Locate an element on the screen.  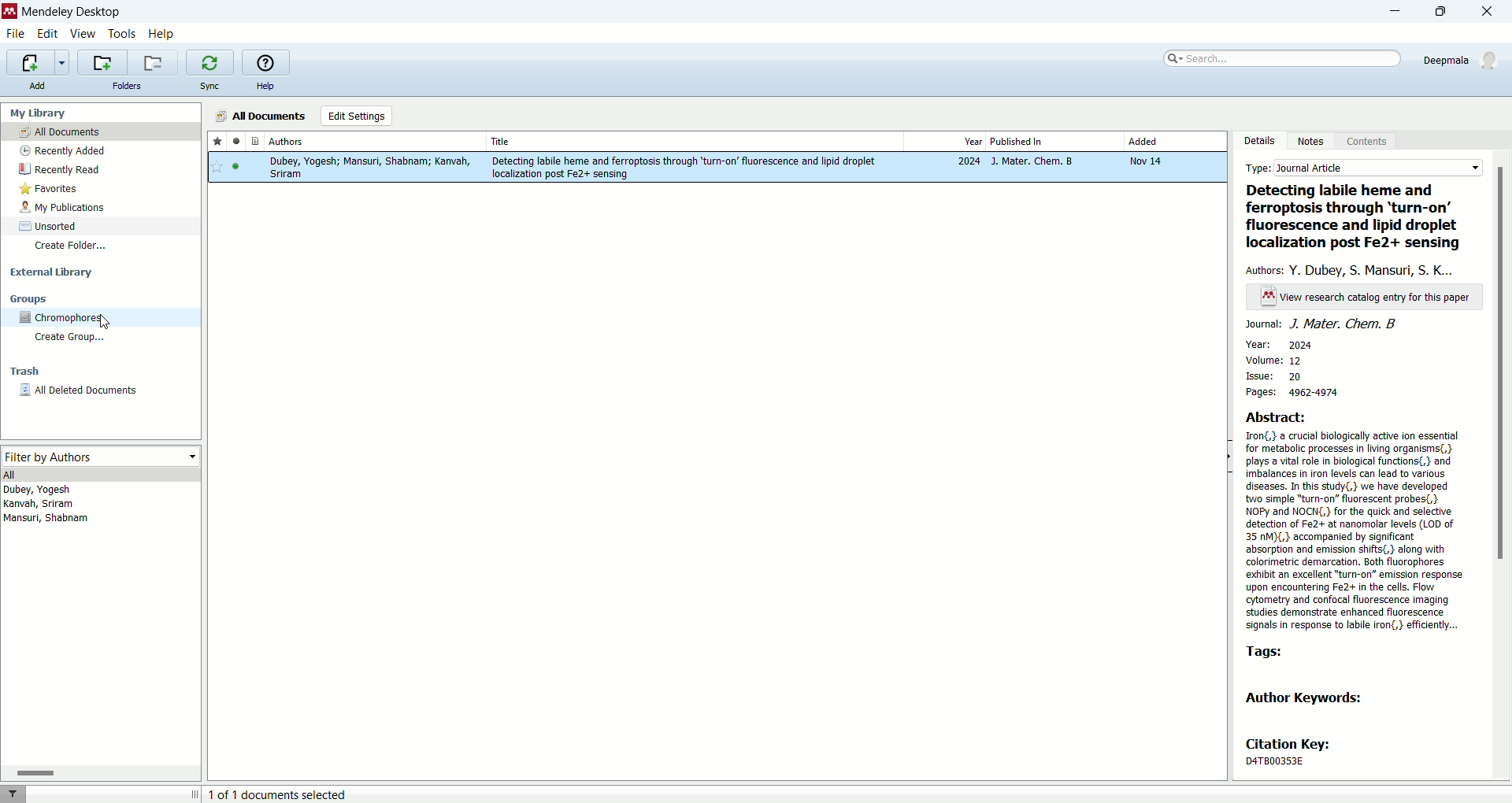
trash is located at coordinates (23, 372).